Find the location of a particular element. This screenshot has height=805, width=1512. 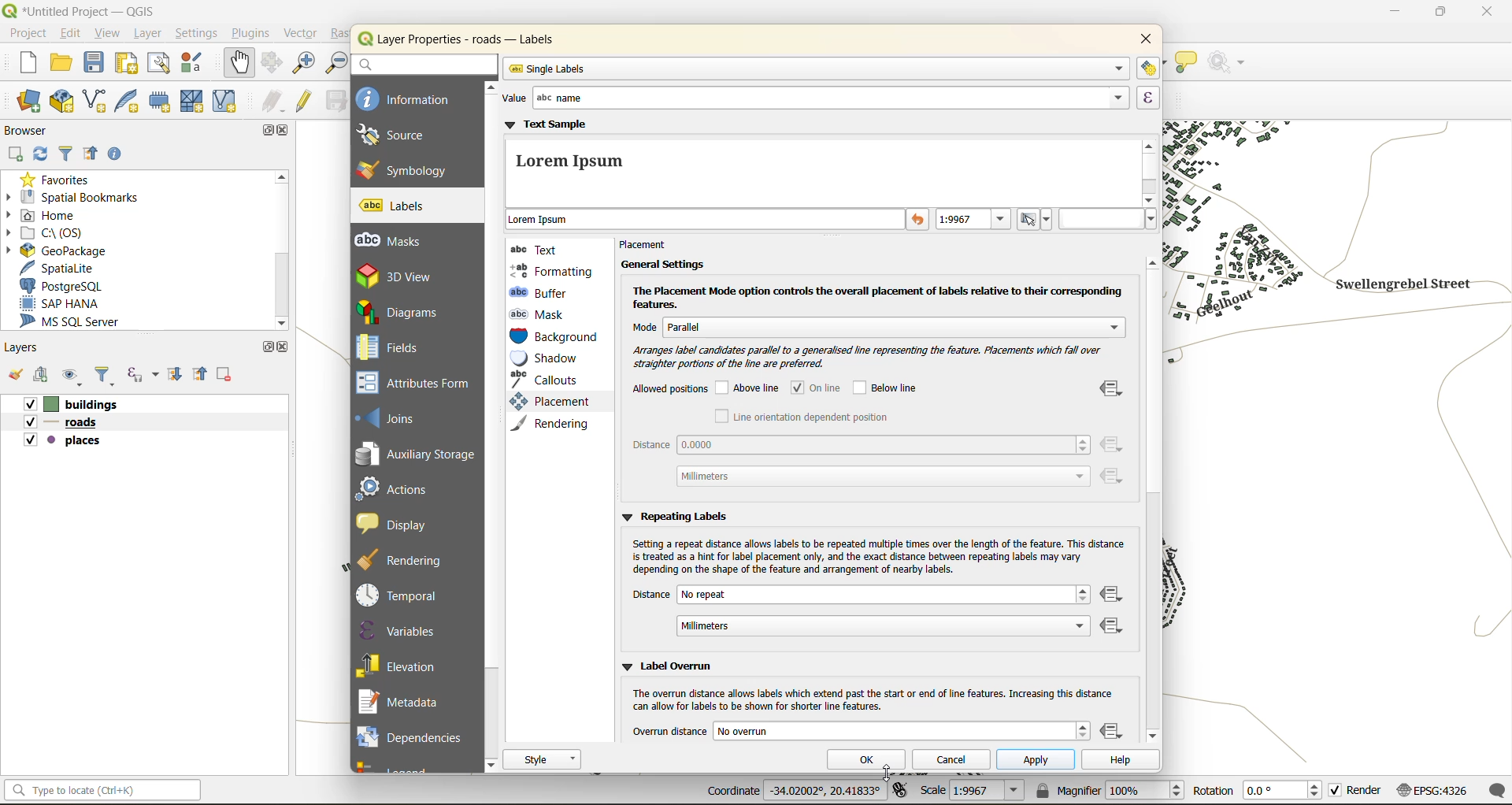

browser is located at coordinates (28, 133).